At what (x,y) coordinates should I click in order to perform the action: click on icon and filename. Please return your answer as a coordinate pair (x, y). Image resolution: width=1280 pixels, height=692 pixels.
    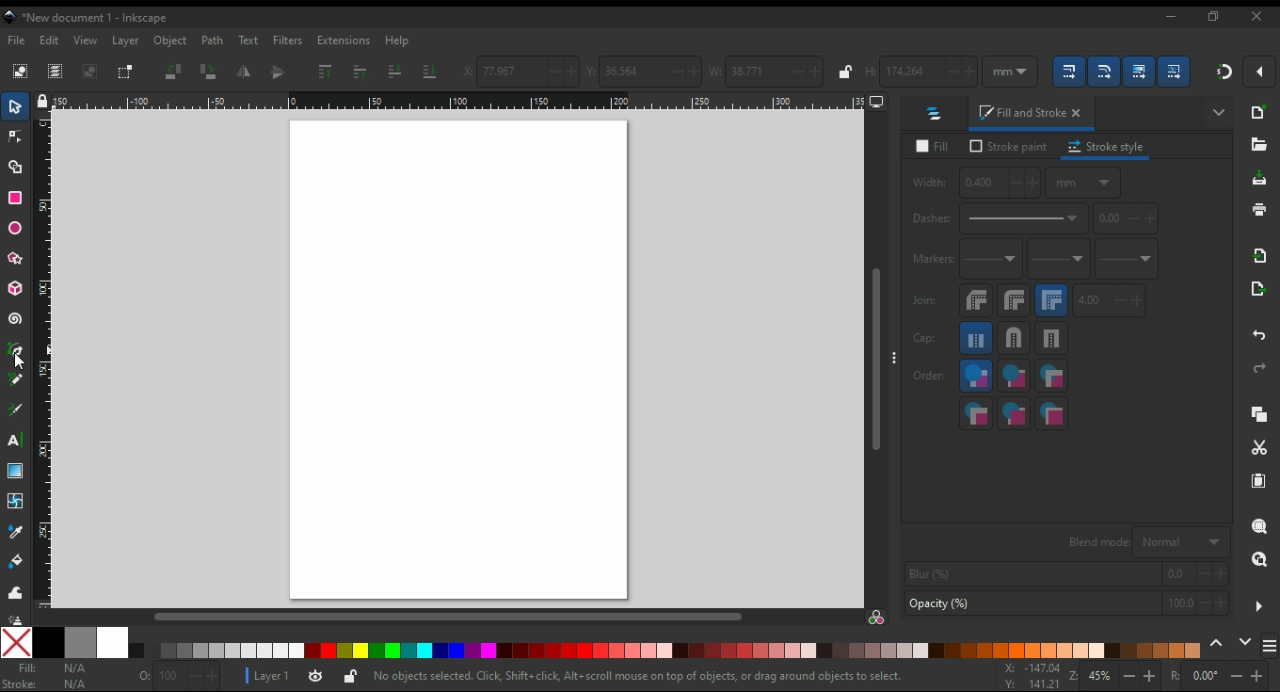
    Looking at the image, I should click on (84, 18).